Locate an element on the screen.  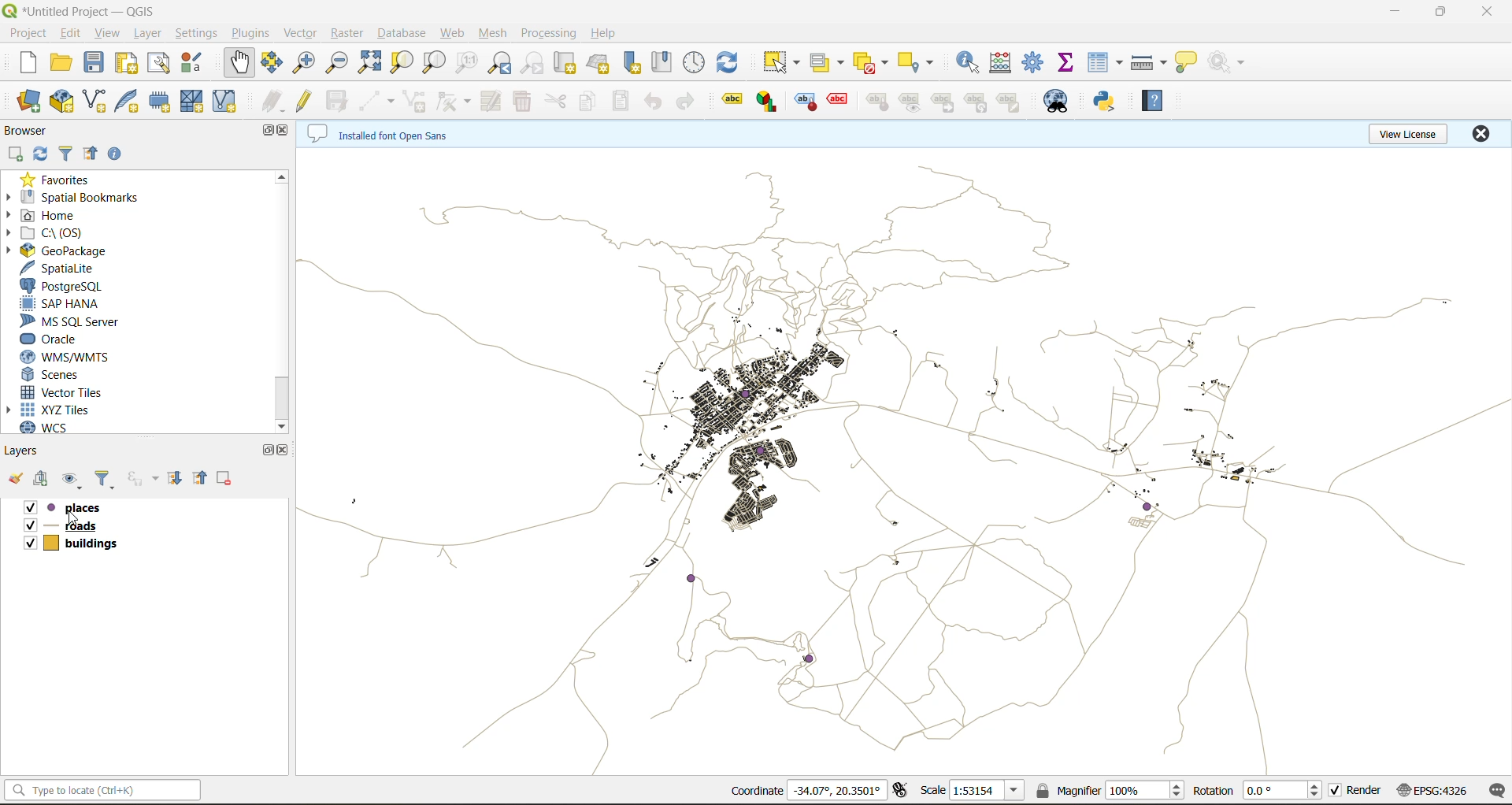
close is located at coordinates (283, 454).